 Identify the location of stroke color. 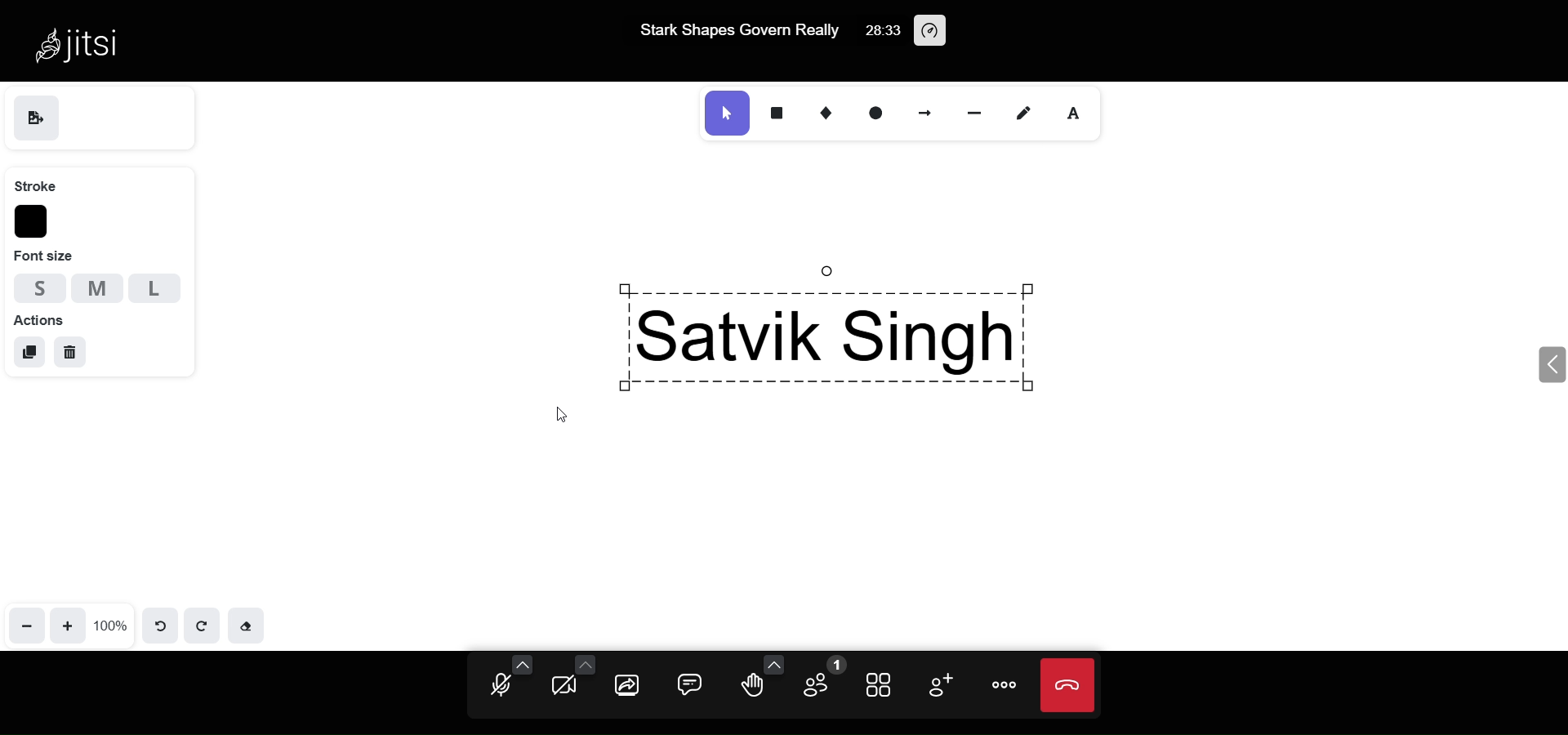
(33, 222).